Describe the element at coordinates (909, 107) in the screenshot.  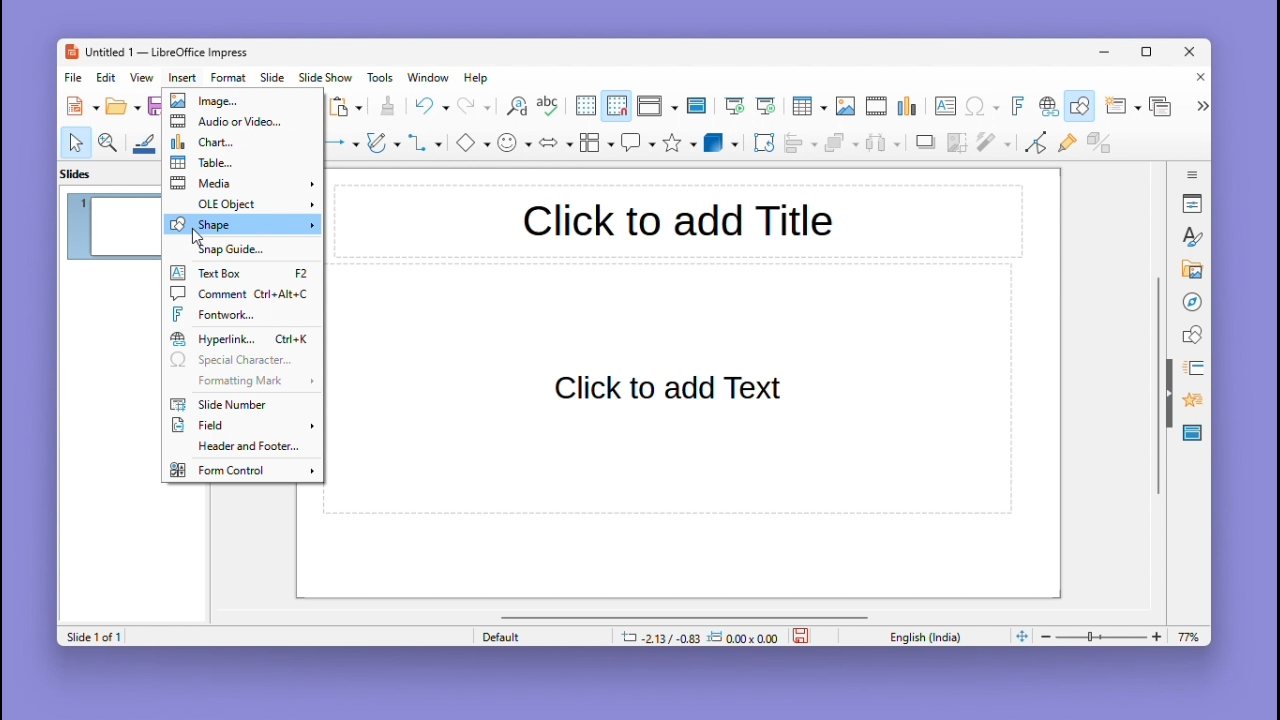
I see `Chart` at that location.